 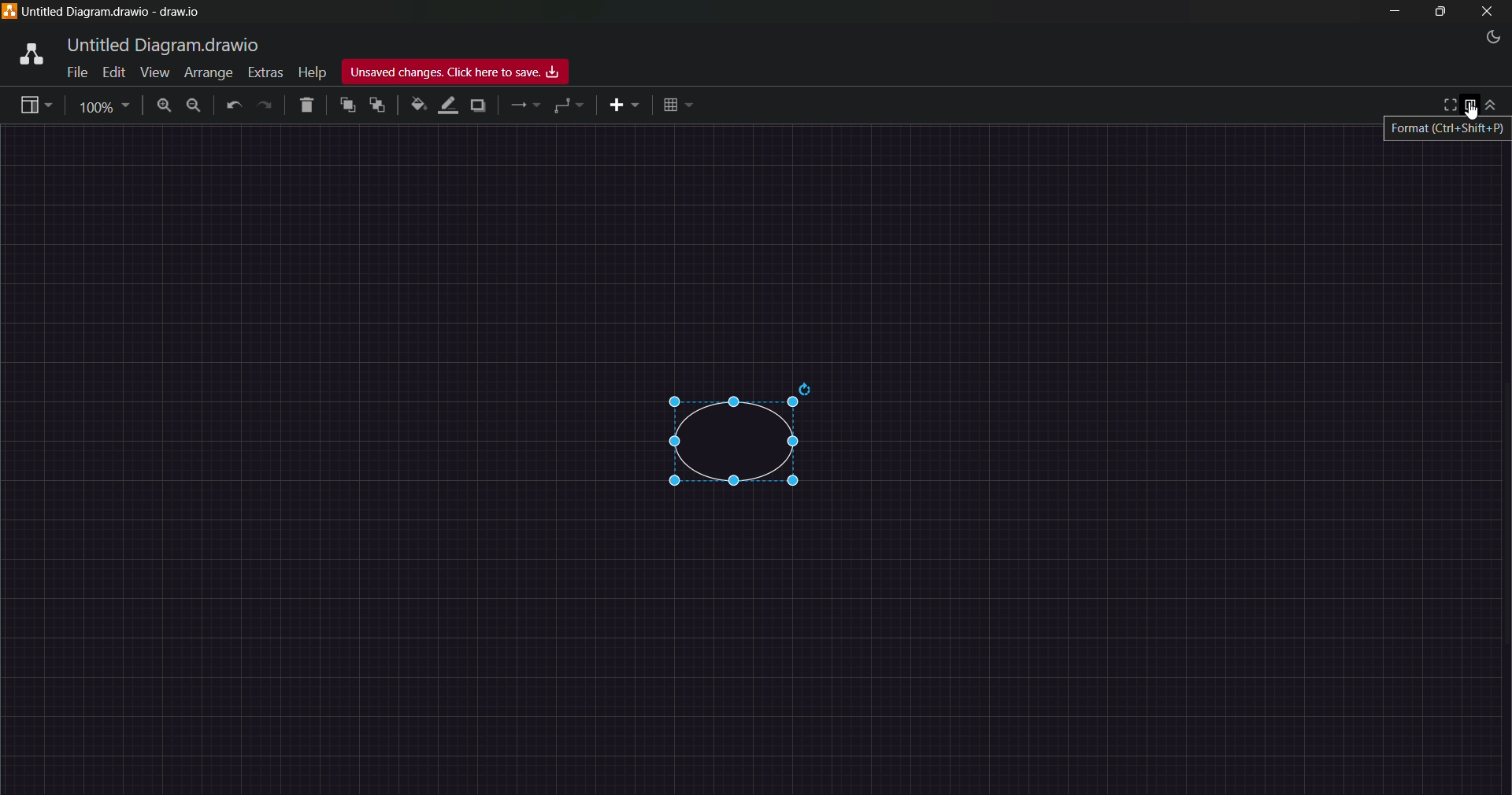 What do you see at coordinates (161, 44) in the screenshot?
I see `Untitled Diagram.drawio` at bounding box center [161, 44].